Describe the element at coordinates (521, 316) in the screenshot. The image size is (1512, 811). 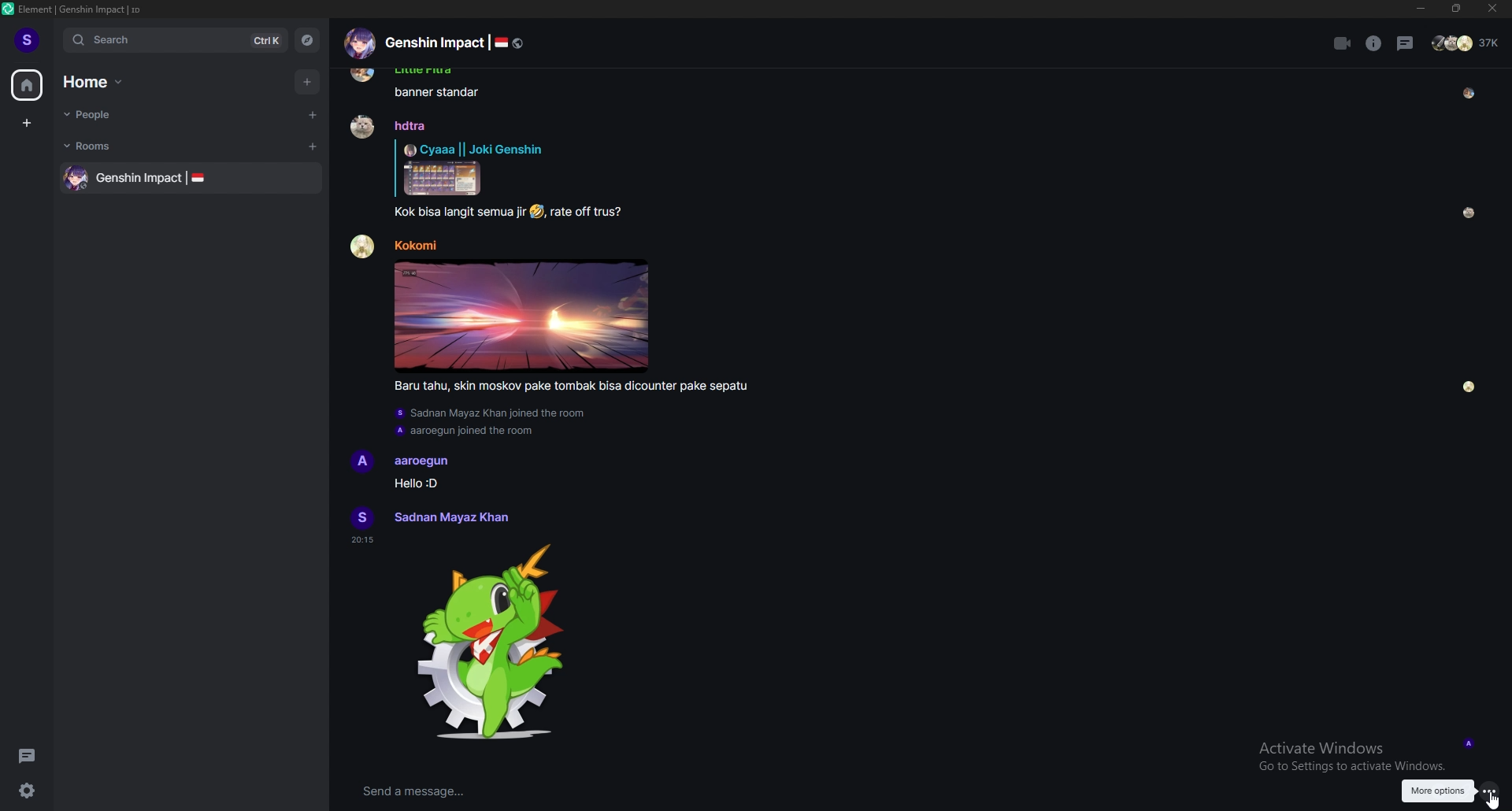
I see `Image sent by group participant` at that location.